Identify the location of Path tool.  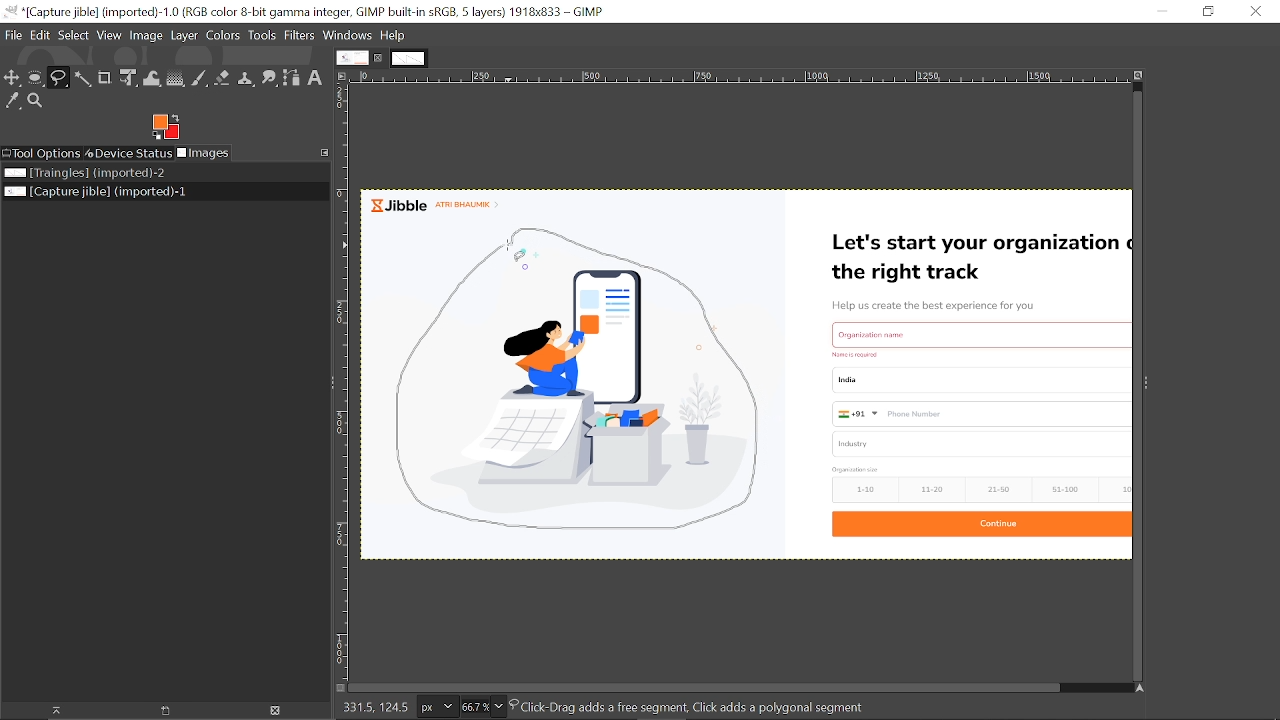
(293, 78).